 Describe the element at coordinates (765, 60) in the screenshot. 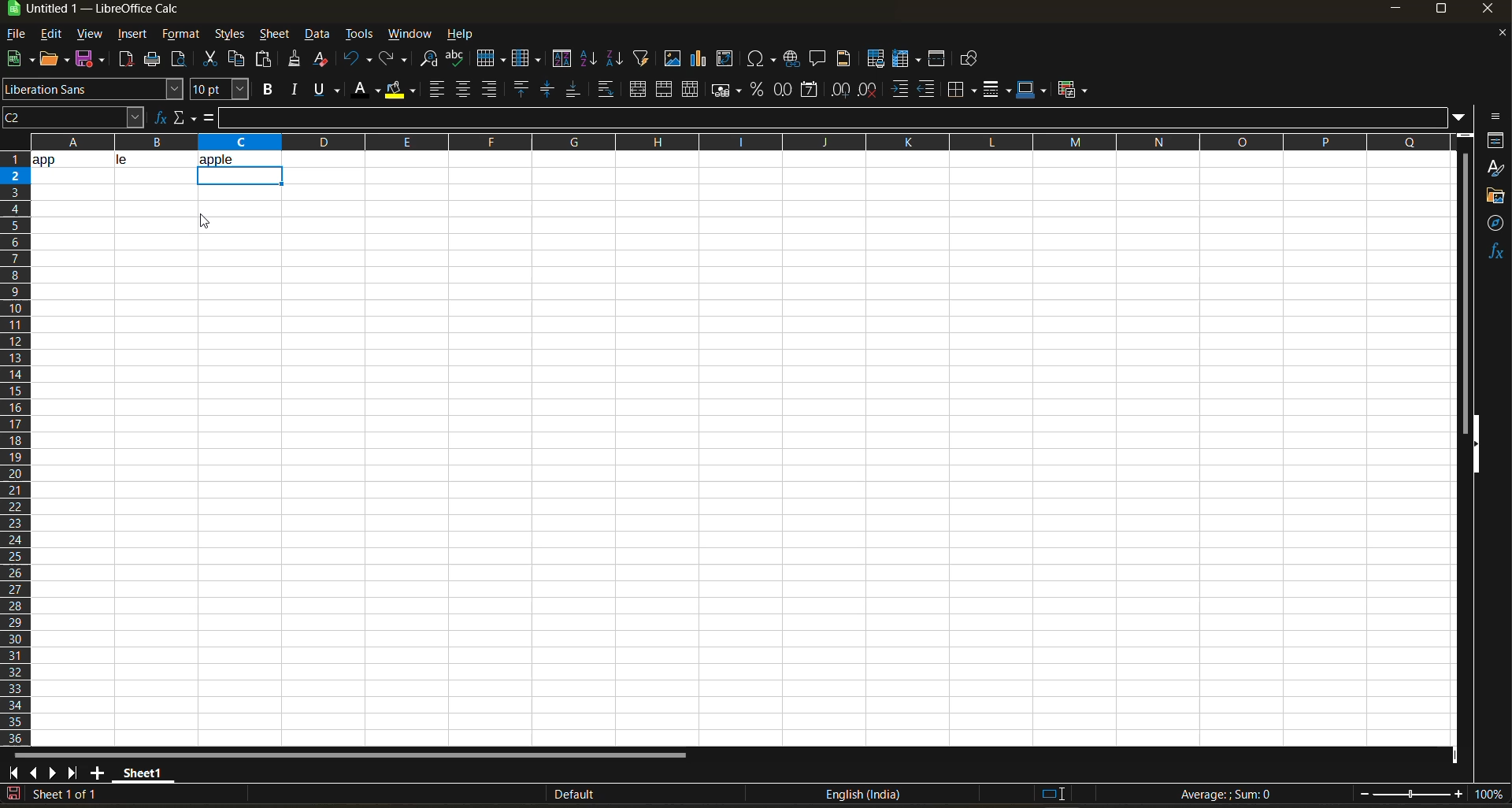

I see `insert special characters` at that location.